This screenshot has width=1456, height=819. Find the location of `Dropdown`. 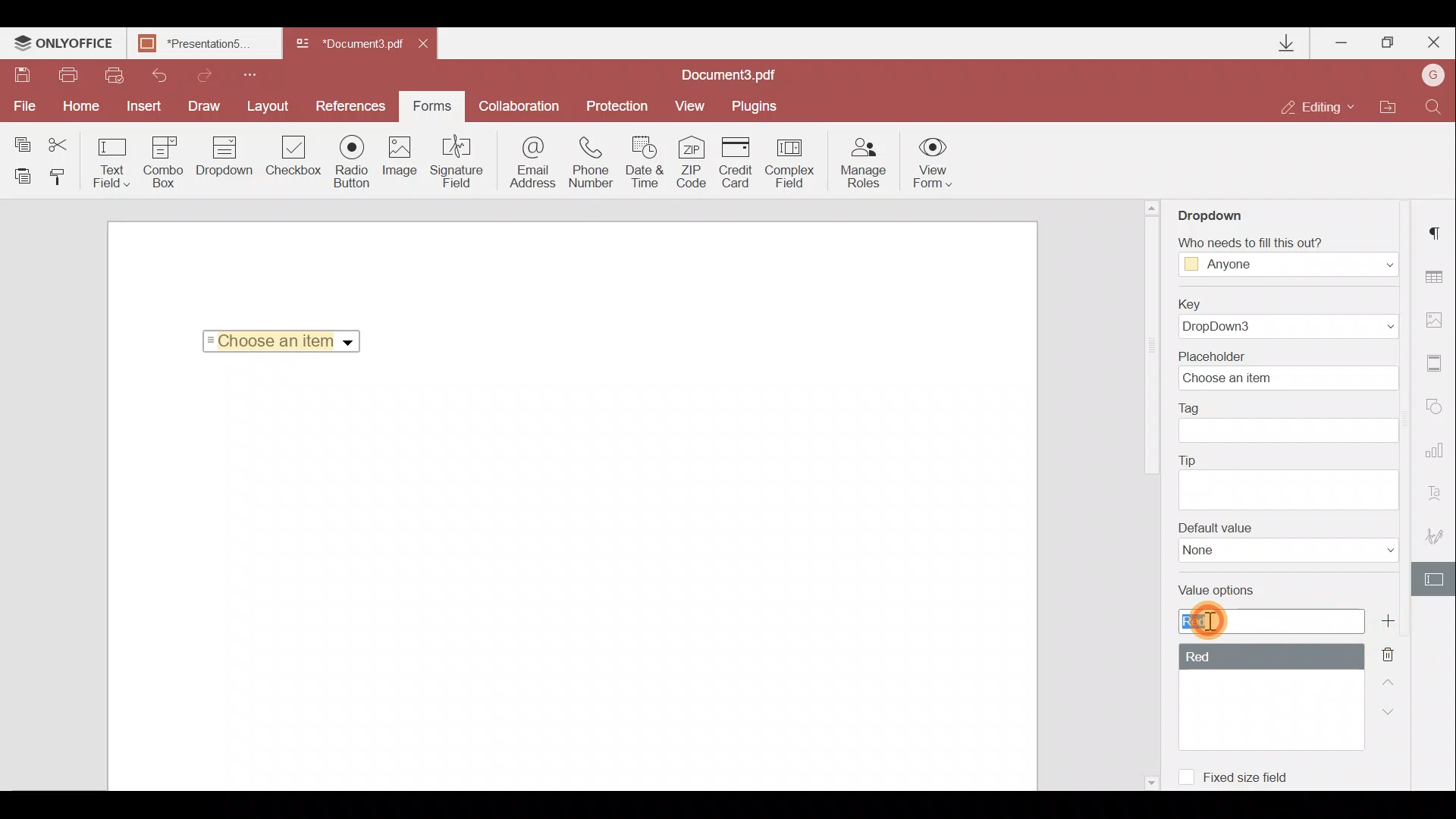

Dropdown is located at coordinates (1216, 214).